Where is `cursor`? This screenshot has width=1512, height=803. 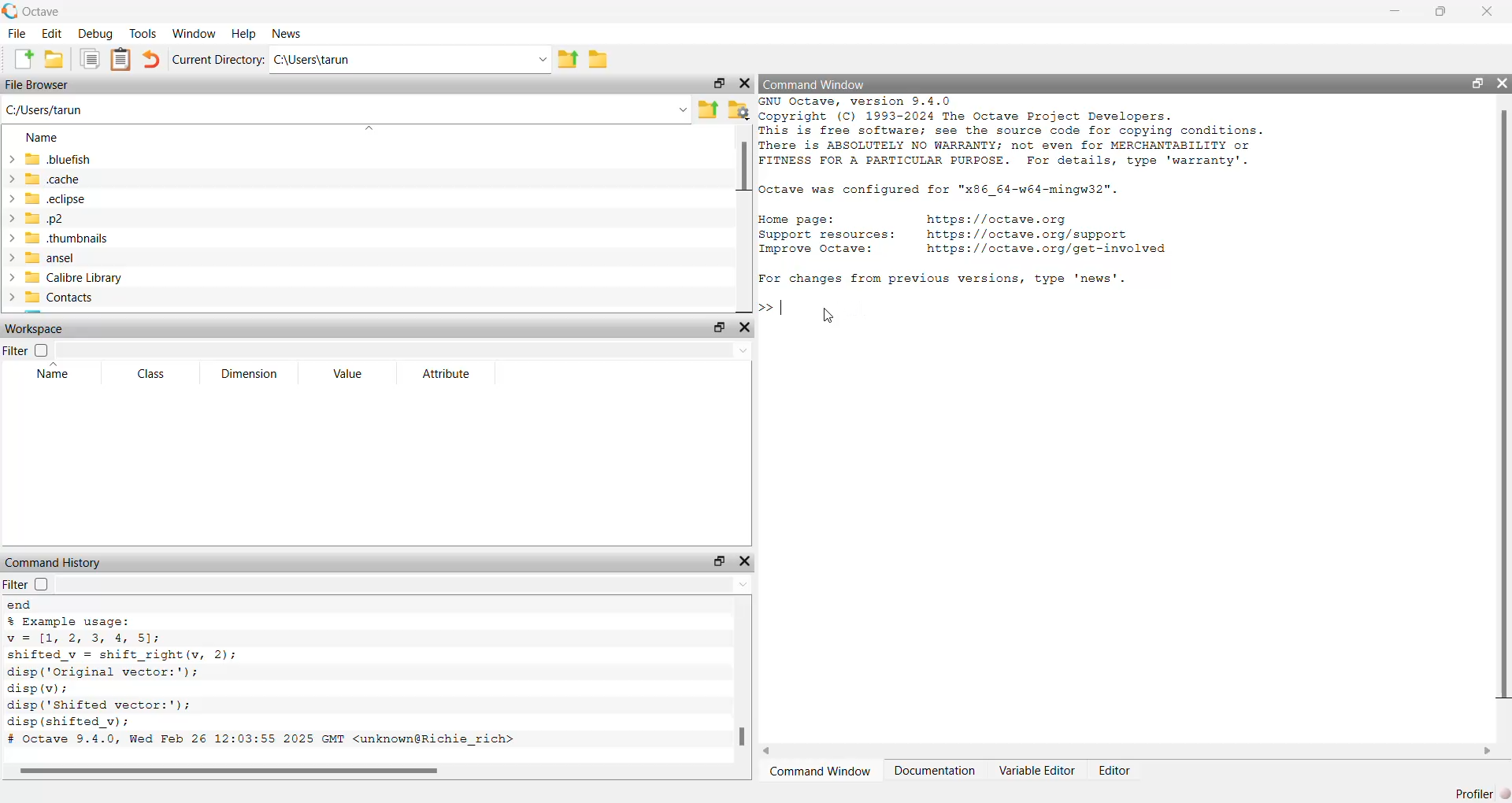 cursor is located at coordinates (825, 316).